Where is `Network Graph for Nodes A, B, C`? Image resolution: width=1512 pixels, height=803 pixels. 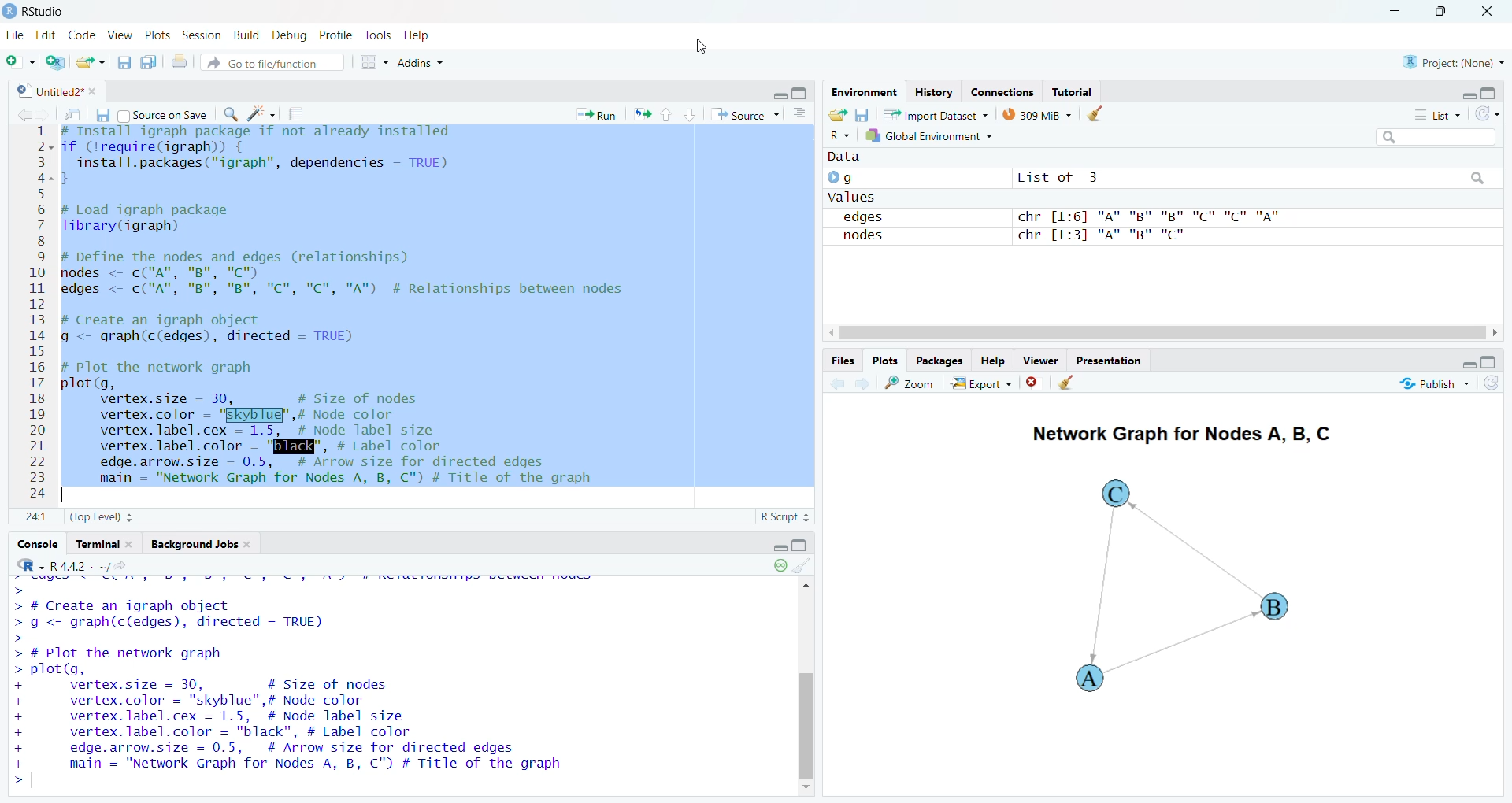 Network Graph for Nodes A, B, C is located at coordinates (1183, 435).